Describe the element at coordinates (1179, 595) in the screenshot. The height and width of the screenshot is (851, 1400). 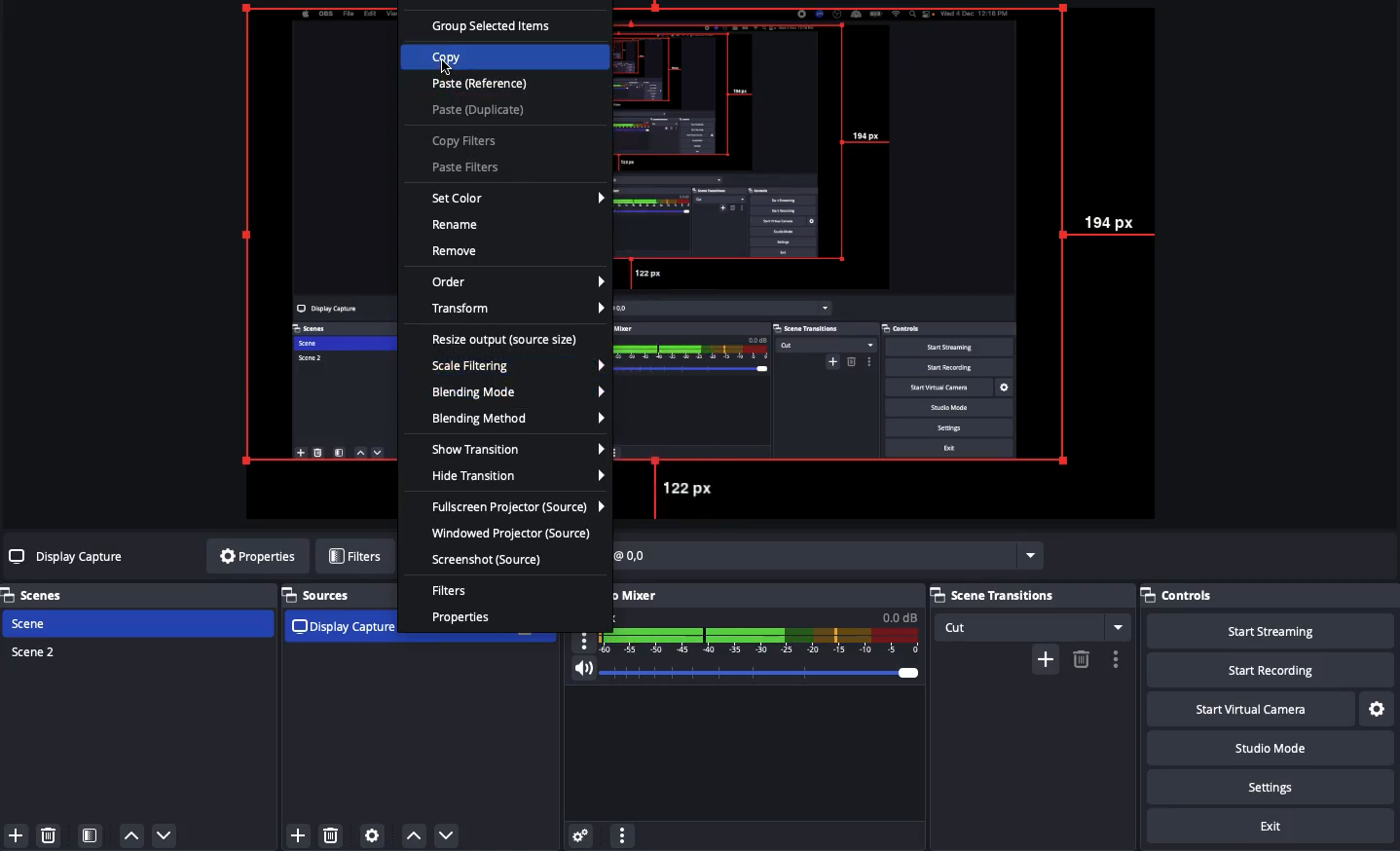
I see `Controls` at that location.